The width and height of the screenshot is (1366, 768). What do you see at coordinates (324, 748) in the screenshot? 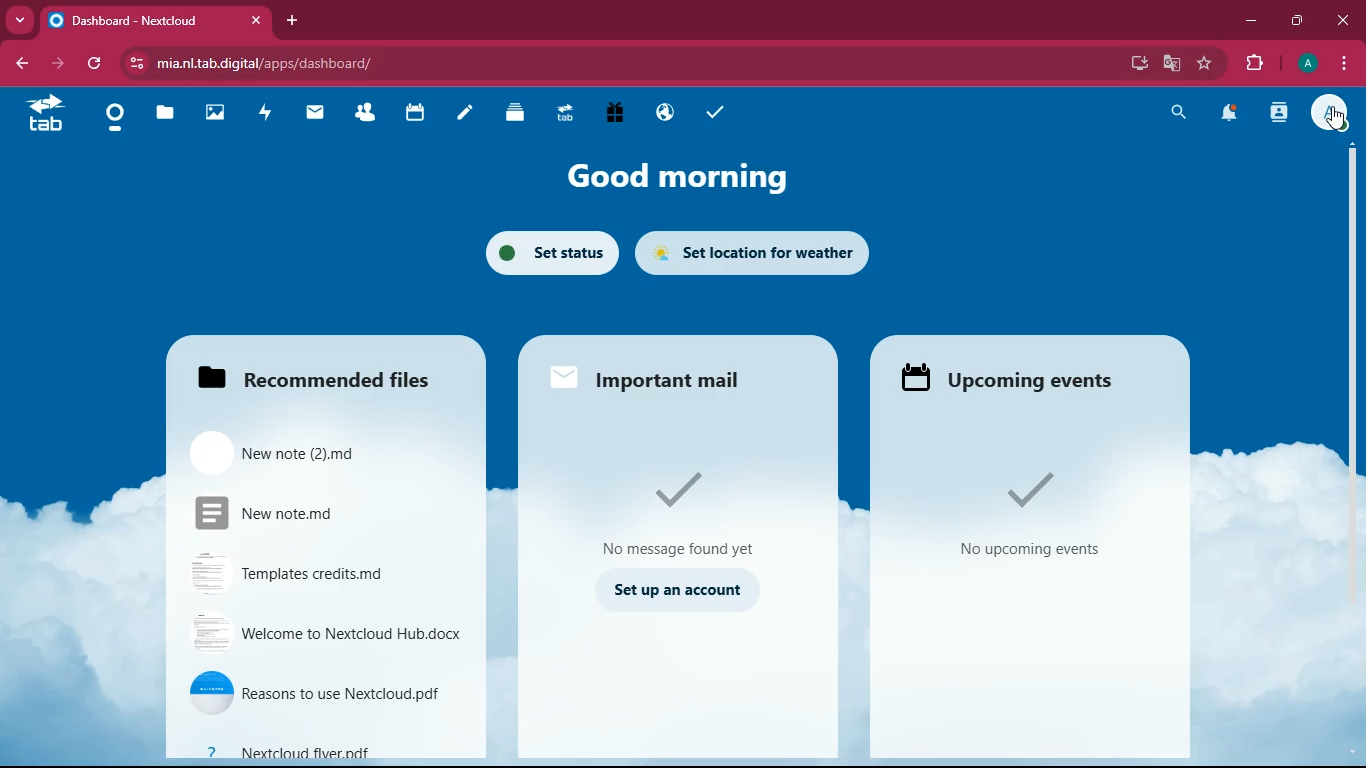
I see `file` at bounding box center [324, 748].